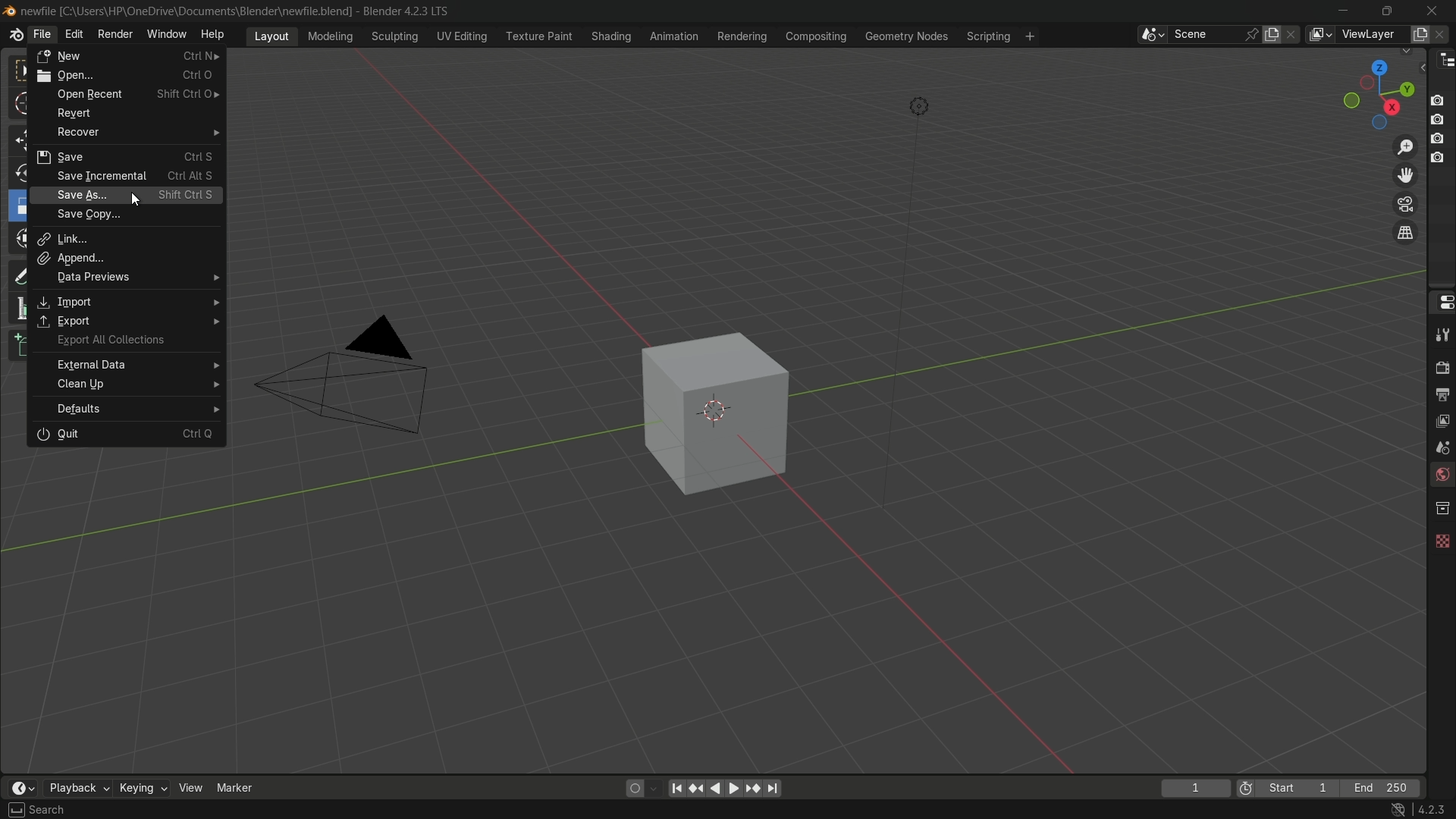 Image resolution: width=1456 pixels, height=819 pixels. What do you see at coordinates (128, 343) in the screenshot?
I see `export all collections` at bounding box center [128, 343].